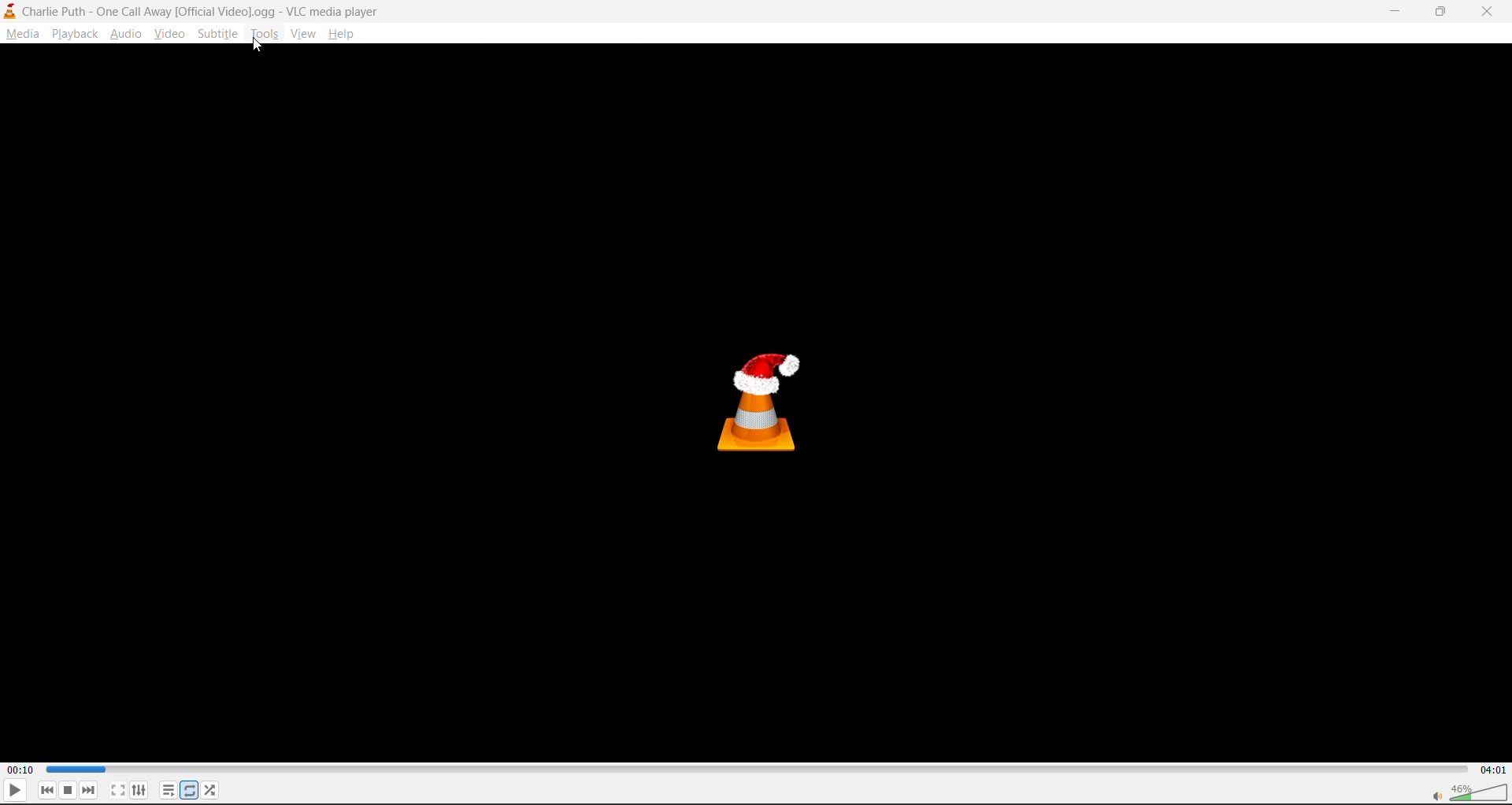 The height and width of the screenshot is (805, 1512). What do you see at coordinates (1443, 11) in the screenshot?
I see `maximize` at bounding box center [1443, 11].